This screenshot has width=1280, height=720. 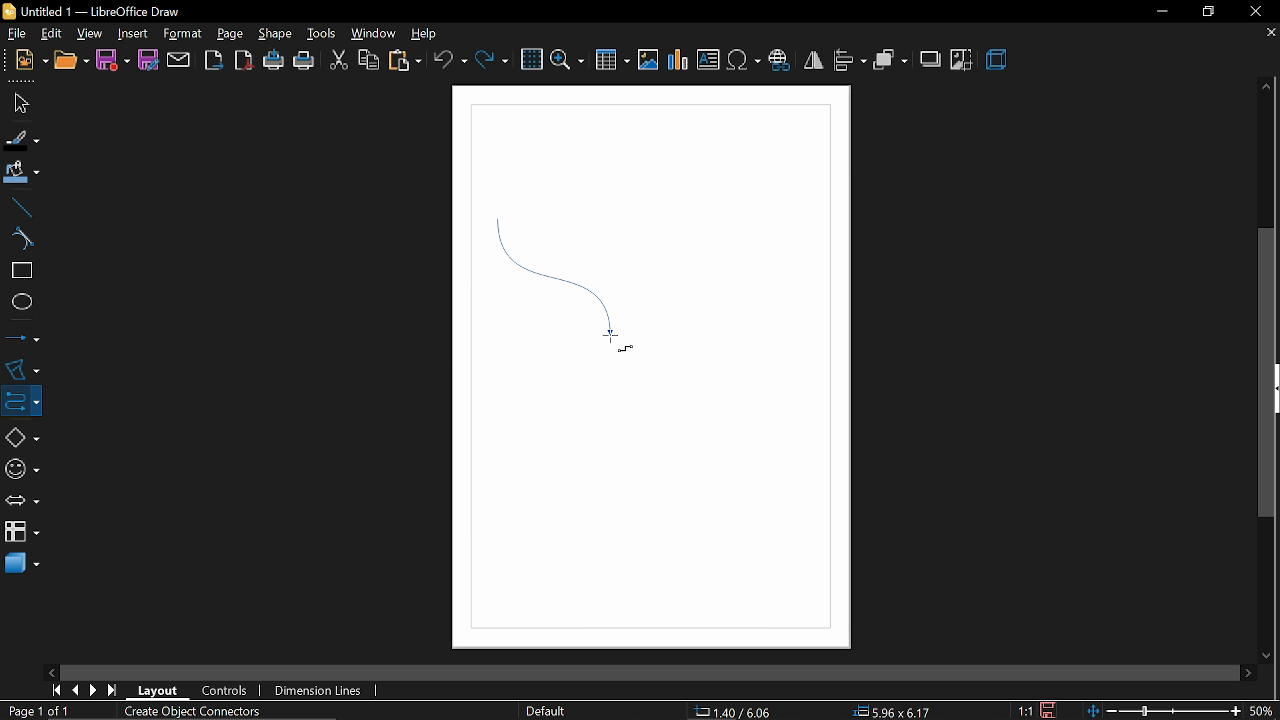 I want to click on tools, so click(x=319, y=33).